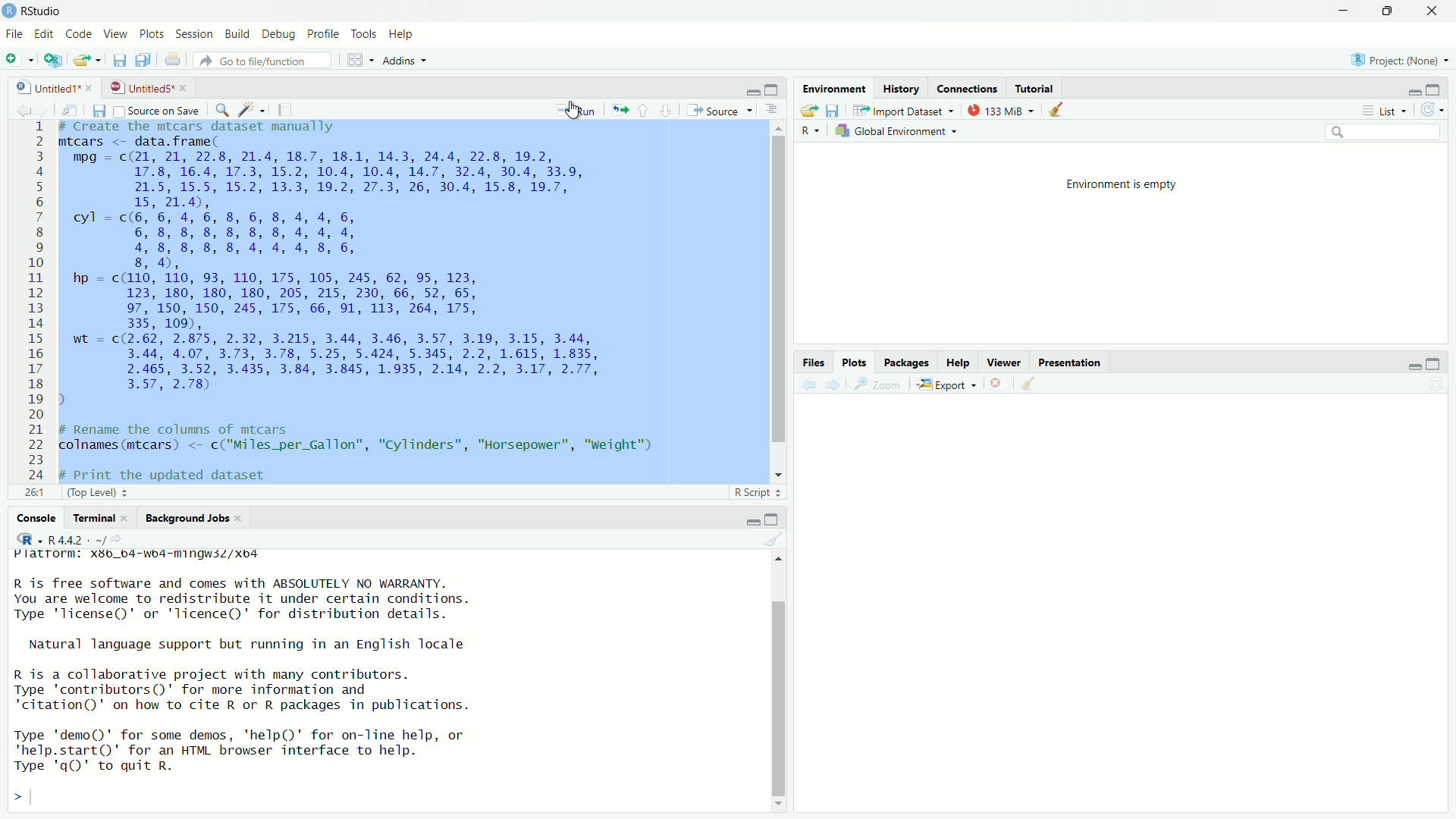  Describe the element at coordinates (150, 33) in the screenshot. I see `Plots` at that location.